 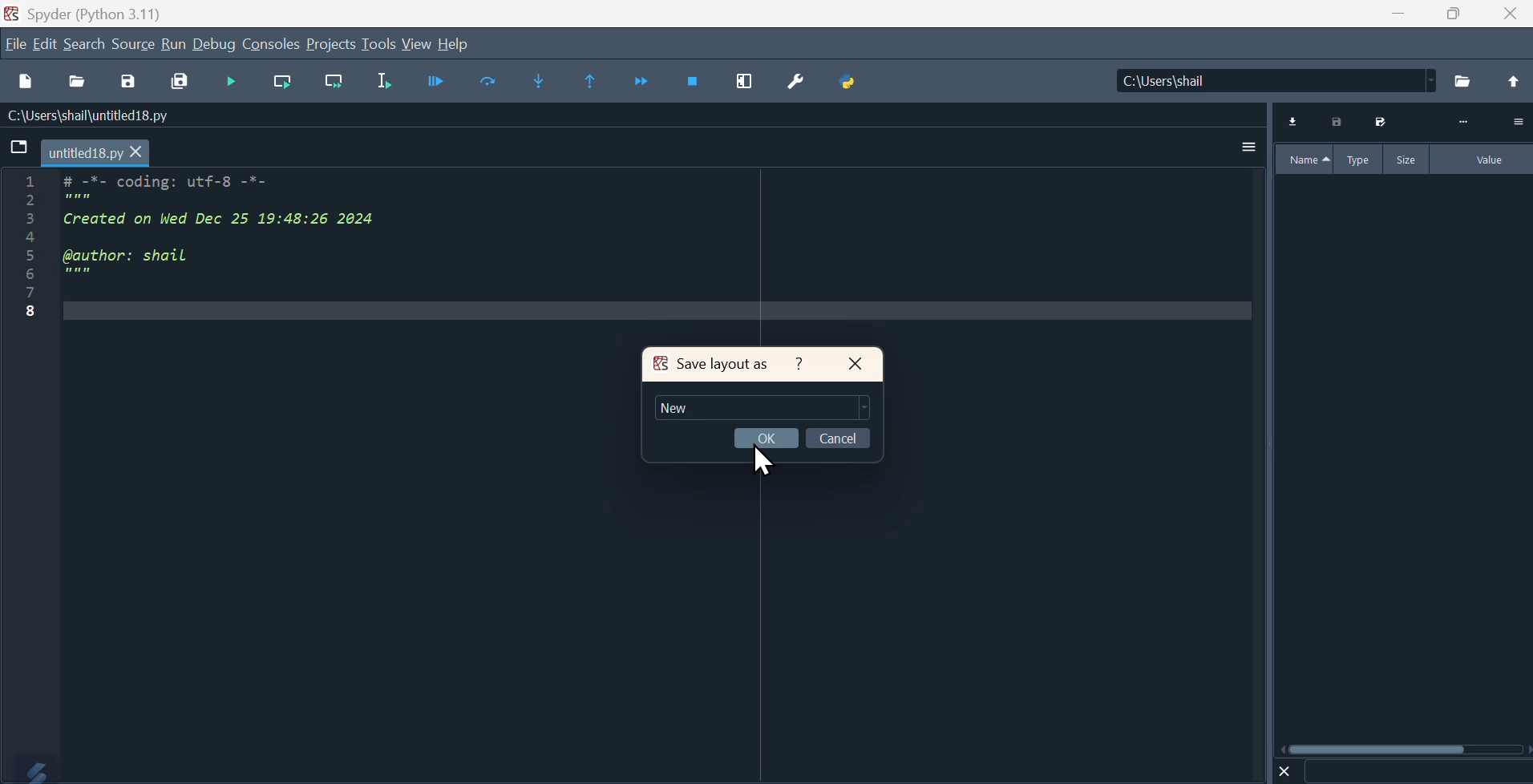 What do you see at coordinates (1464, 82) in the screenshot?
I see `Folder` at bounding box center [1464, 82].